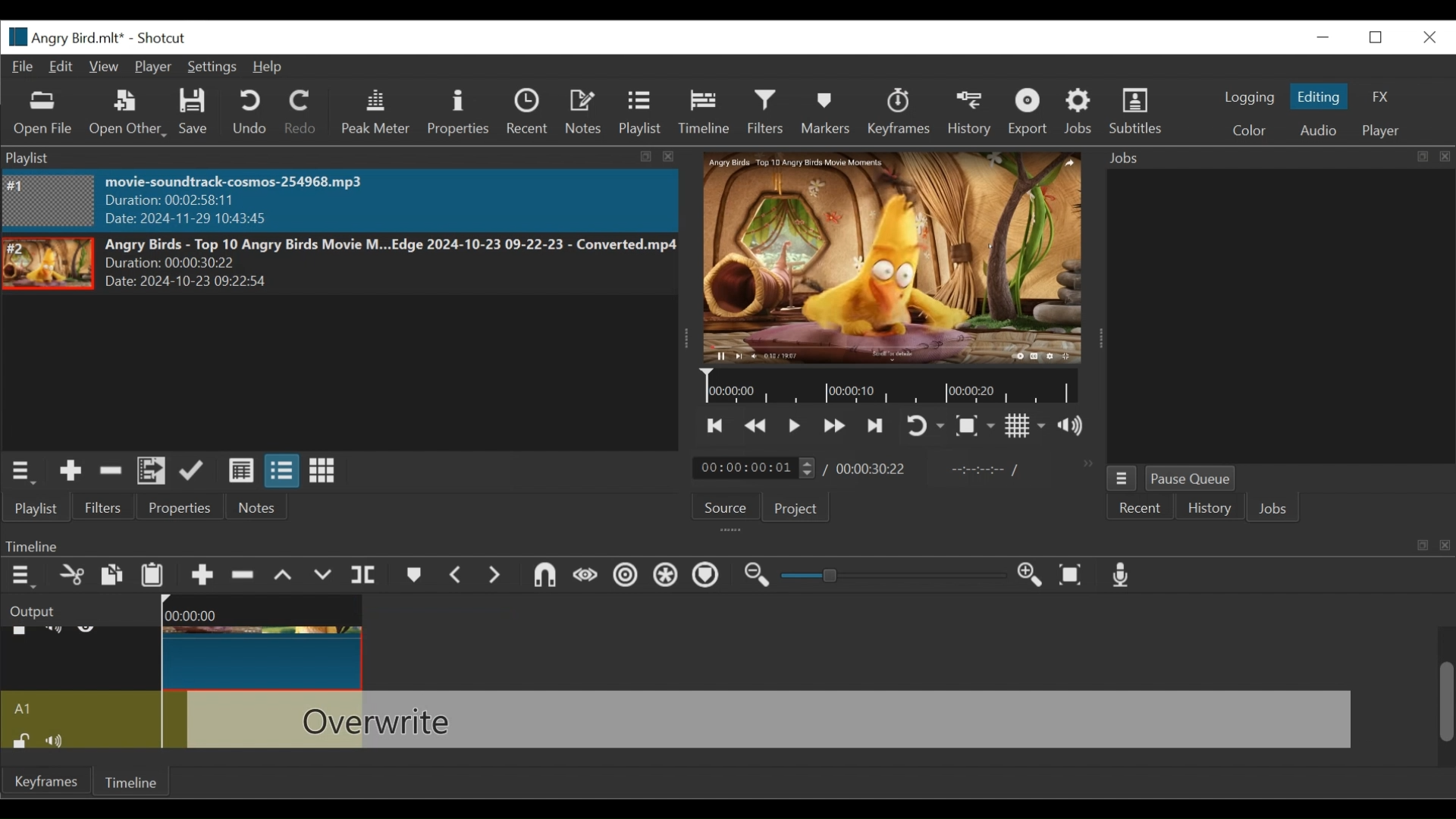 This screenshot has height=819, width=1456. Describe the element at coordinates (322, 471) in the screenshot. I see `View as icons` at that location.